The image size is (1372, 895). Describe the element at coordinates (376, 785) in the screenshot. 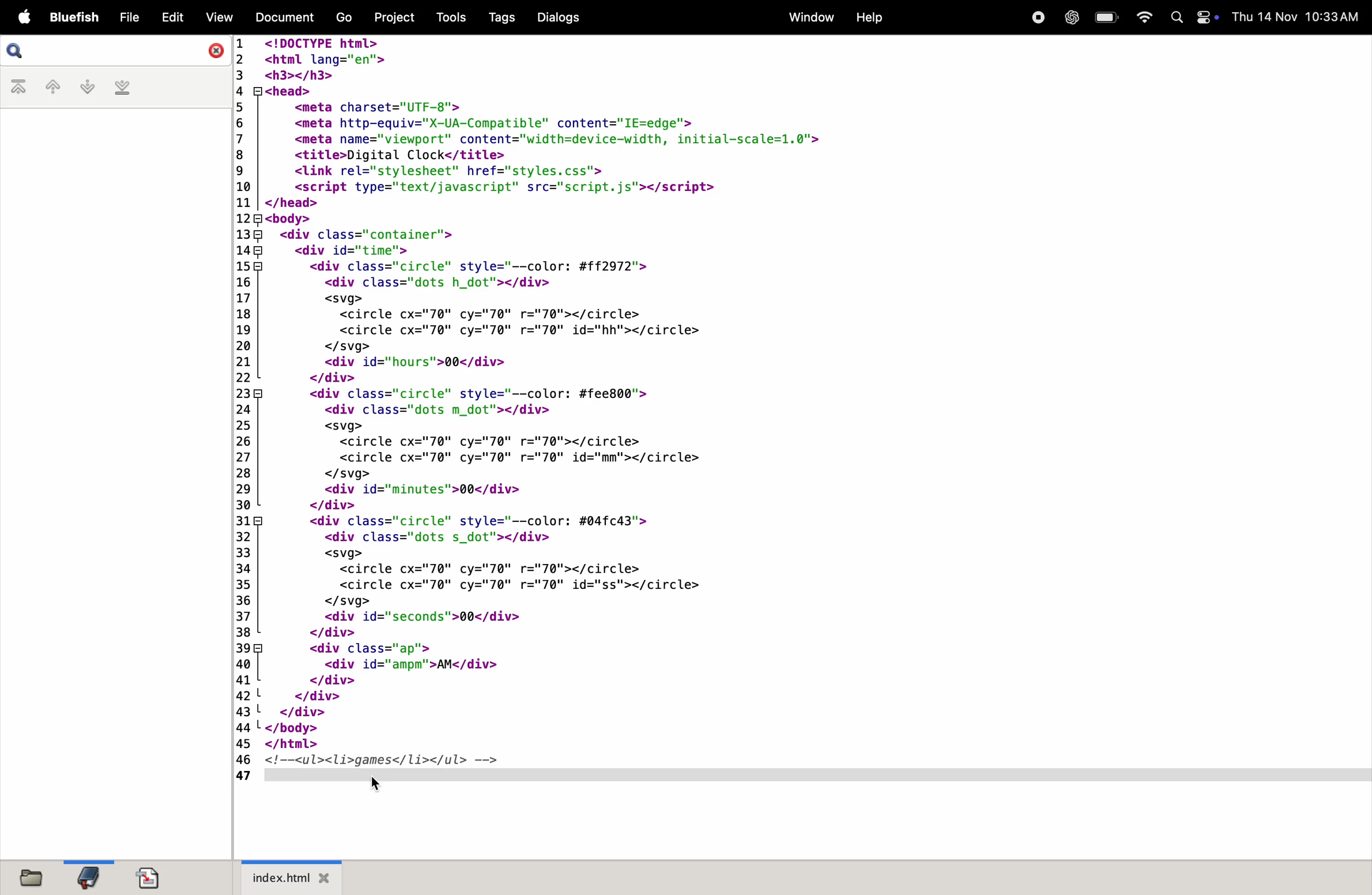

I see `cursor` at that location.